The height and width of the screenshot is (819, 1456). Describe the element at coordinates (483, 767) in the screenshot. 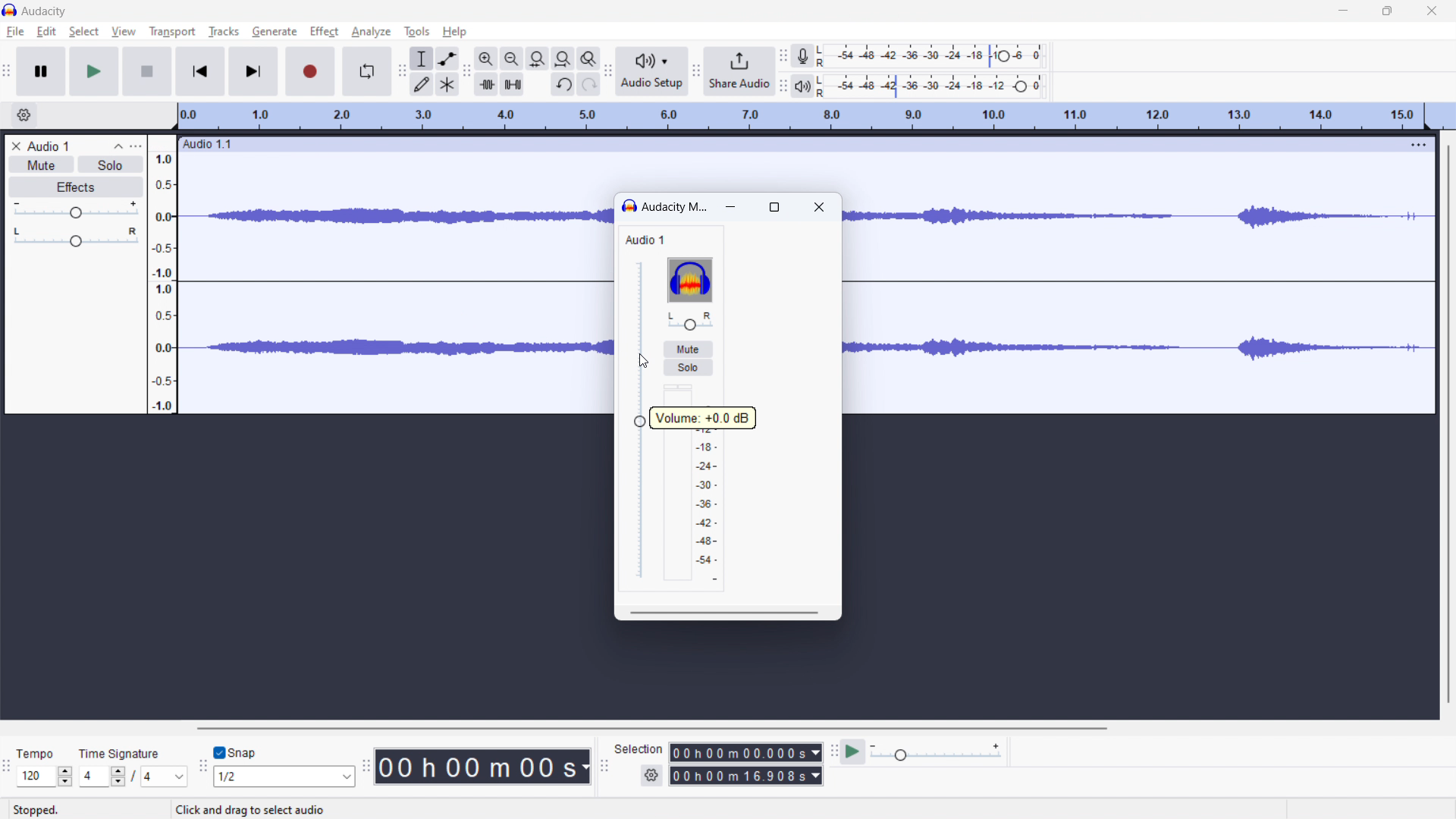

I see `time stamp` at that location.